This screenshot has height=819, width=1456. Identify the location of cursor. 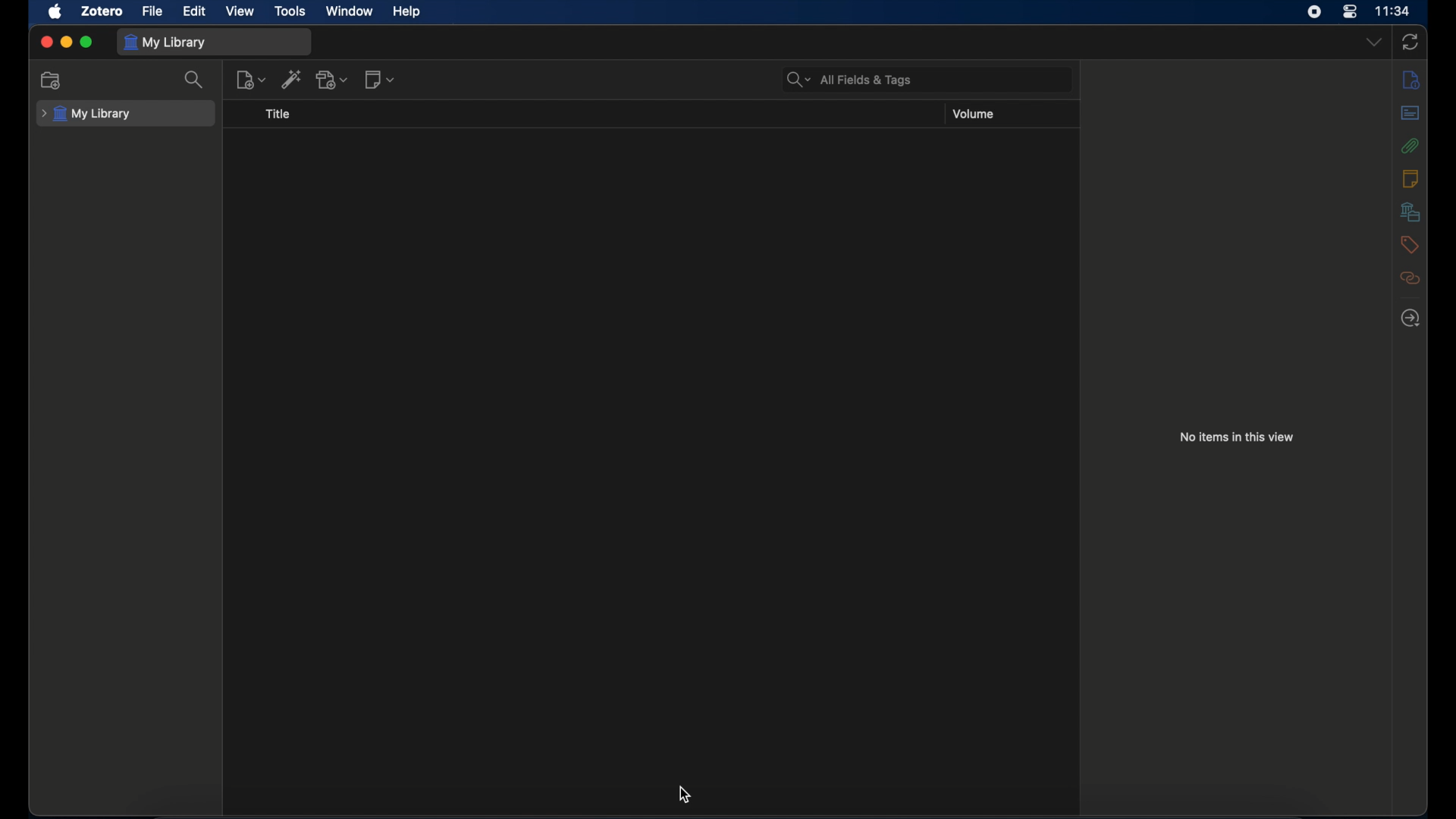
(682, 795).